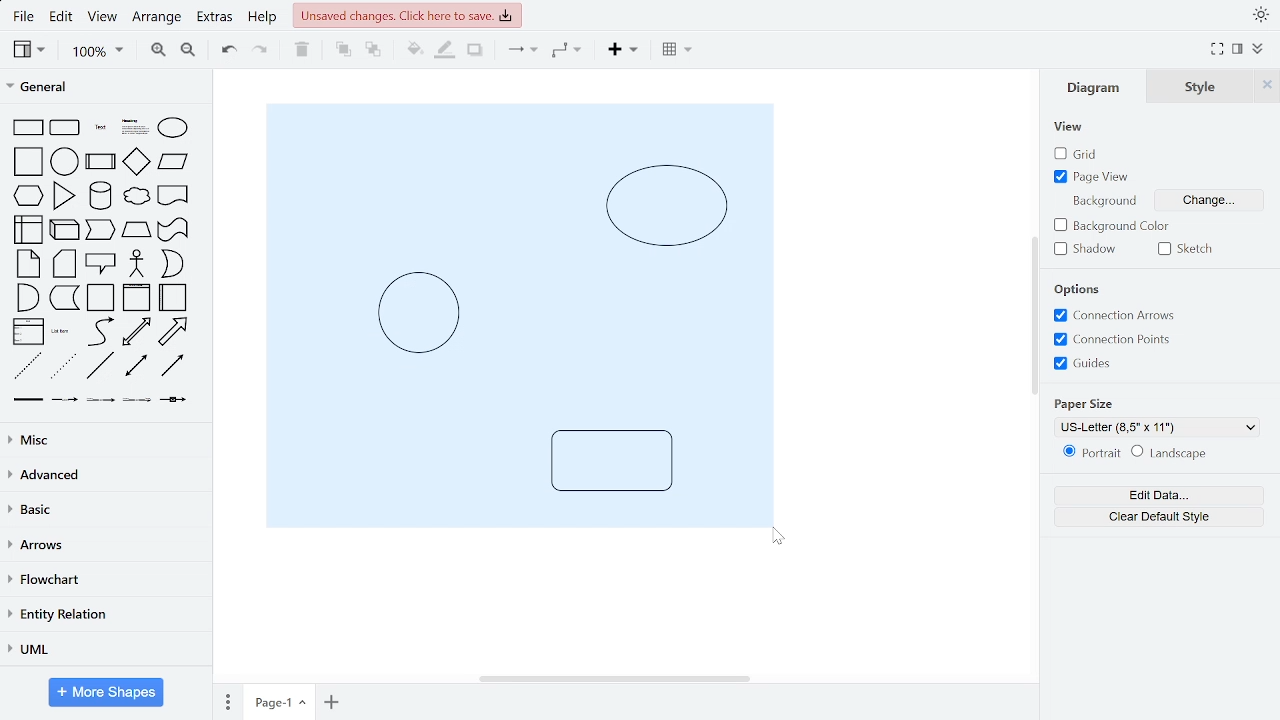 The height and width of the screenshot is (720, 1280). What do you see at coordinates (1158, 496) in the screenshot?
I see `edit data` at bounding box center [1158, 496].